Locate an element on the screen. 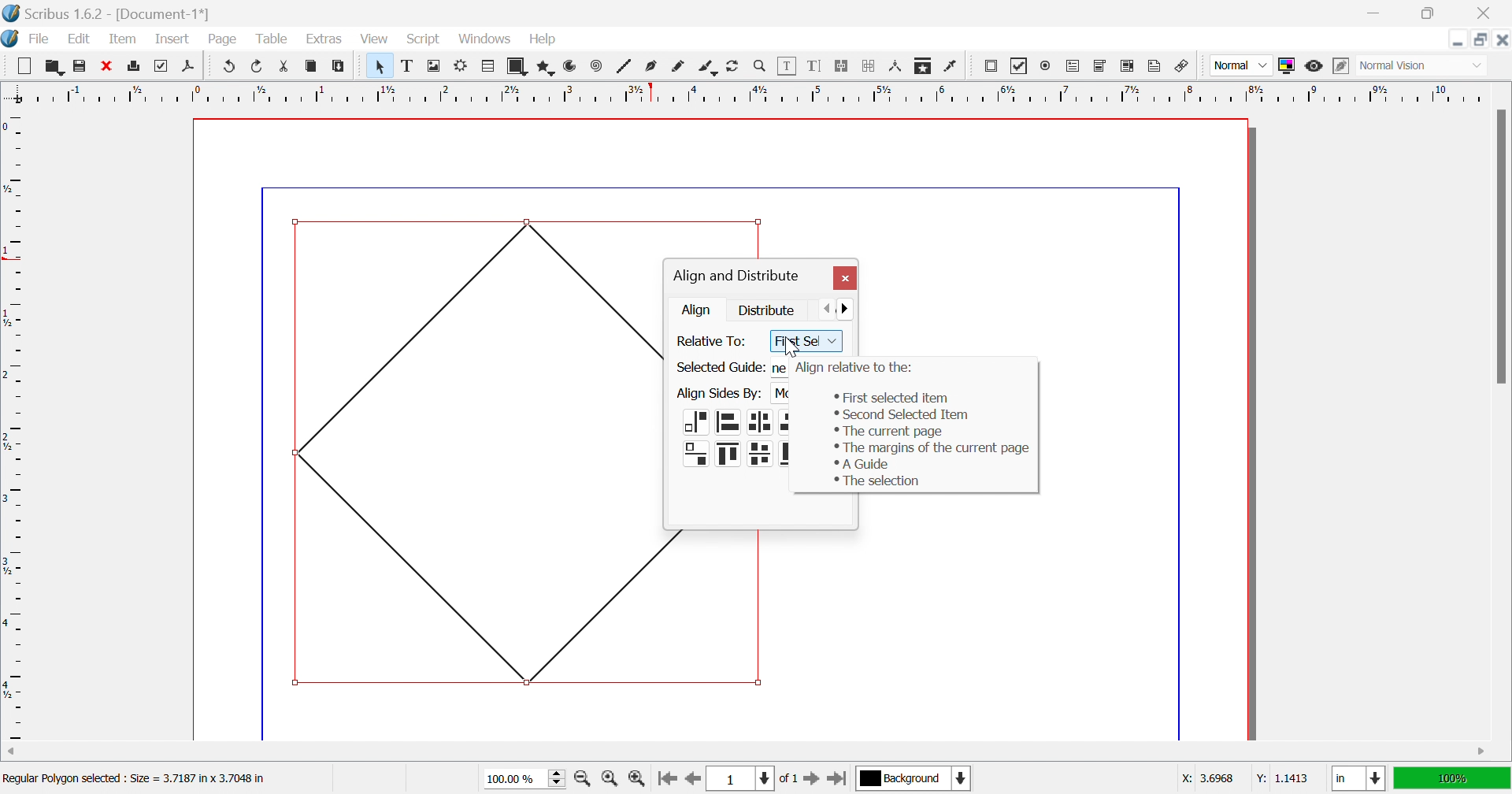  Zoom to 100% is located at coordinates (612, 781).